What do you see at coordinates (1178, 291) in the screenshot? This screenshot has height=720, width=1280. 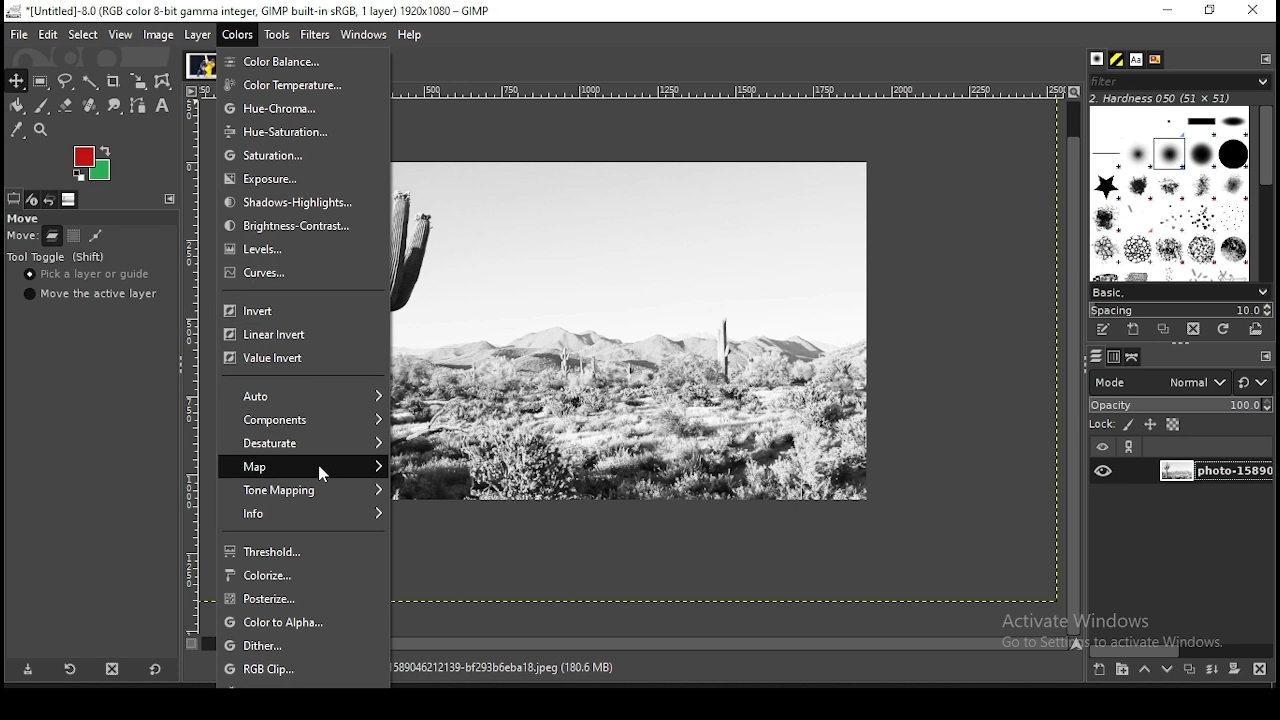 I see `select brush preset` at bounding box center [1178, 291].